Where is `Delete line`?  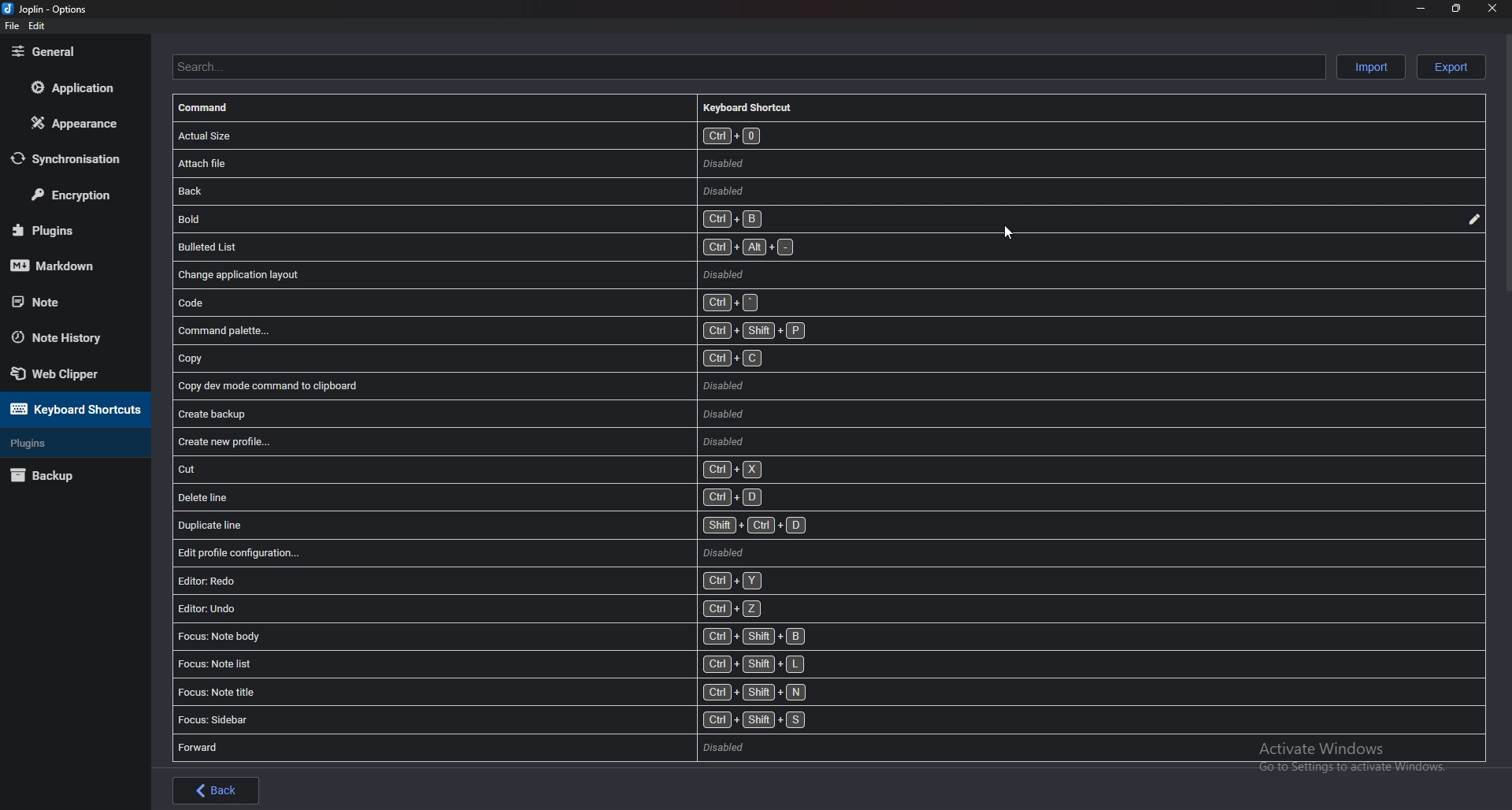
Delete line is located at coordinates (476, 497).